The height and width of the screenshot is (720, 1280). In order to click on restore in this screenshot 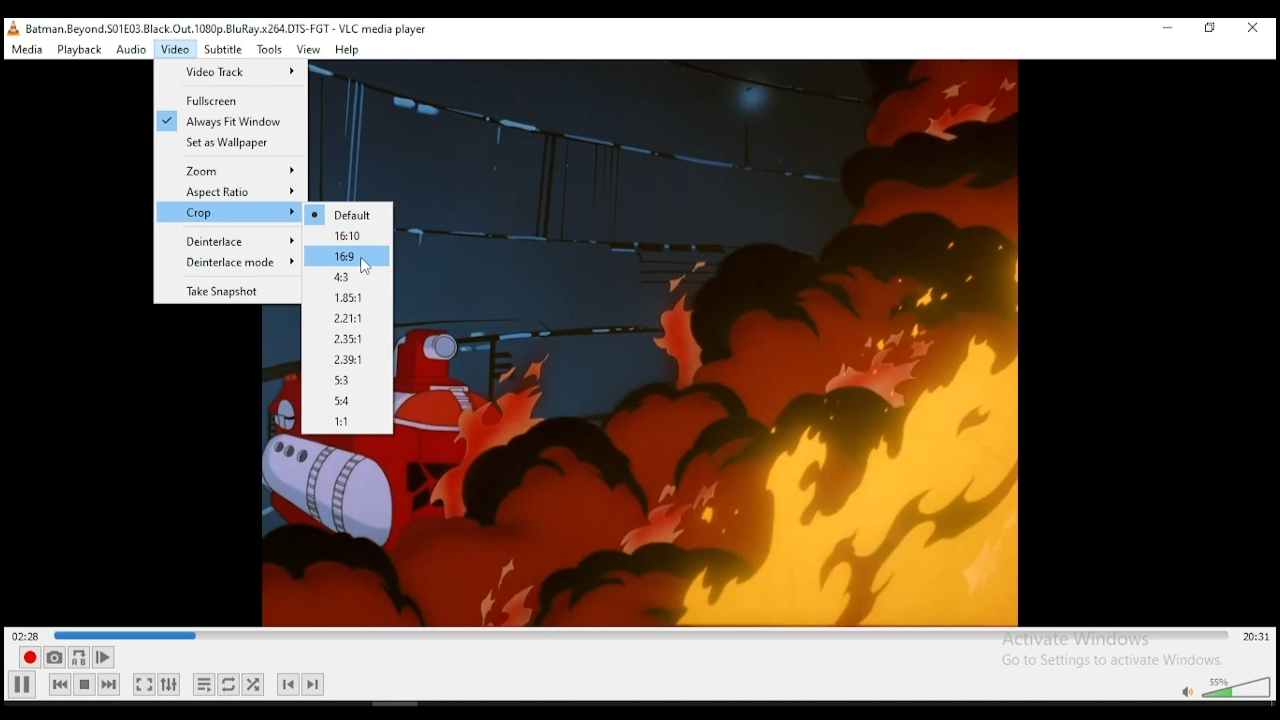, I will do `click(1212, 31)`.